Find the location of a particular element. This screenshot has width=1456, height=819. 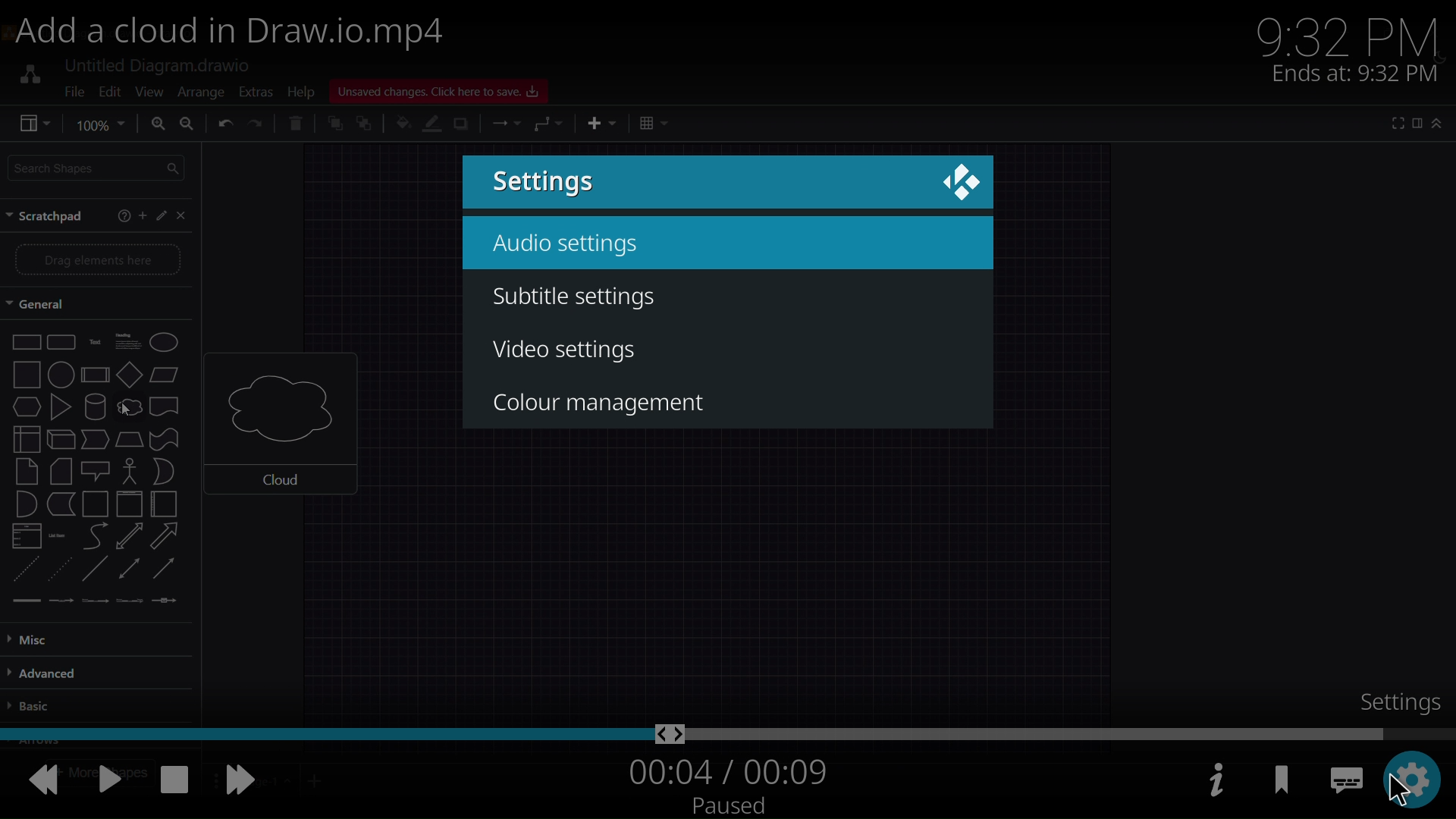

audio setting is located at coordinates (573, 246).